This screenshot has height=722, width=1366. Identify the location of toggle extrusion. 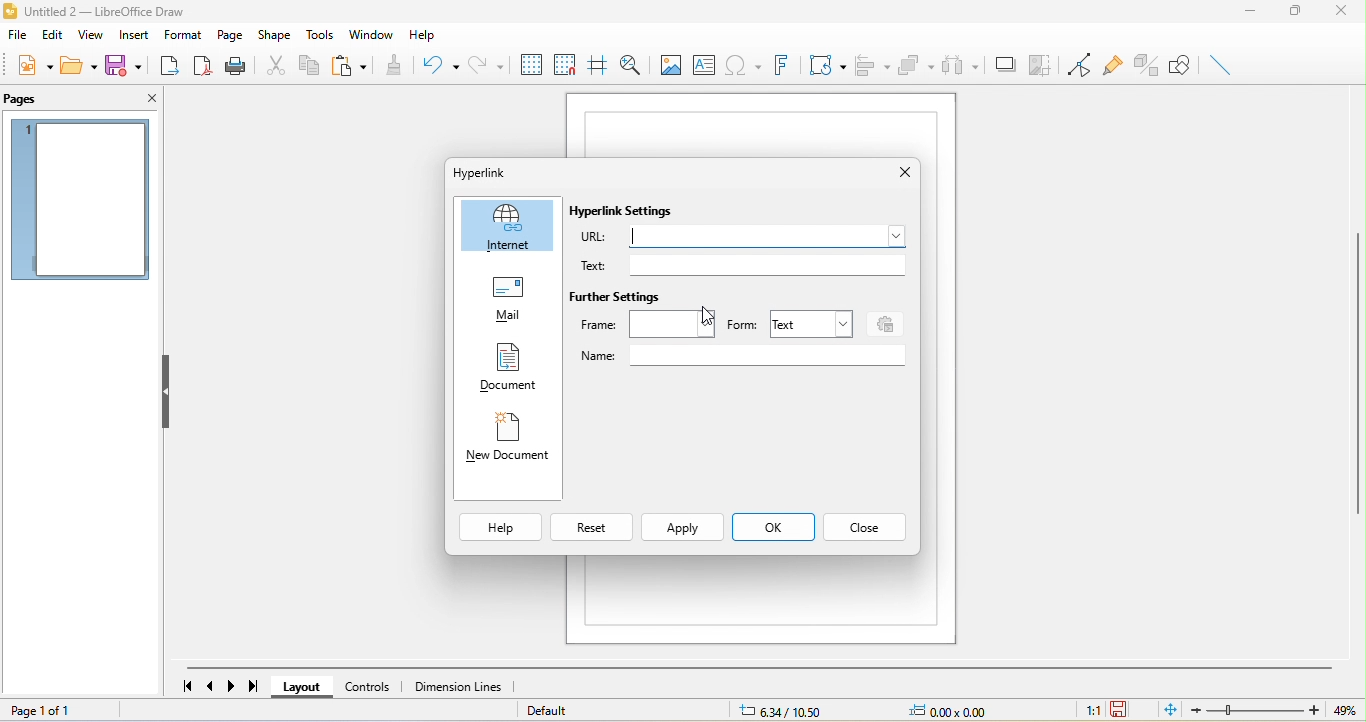
(1143, 65).